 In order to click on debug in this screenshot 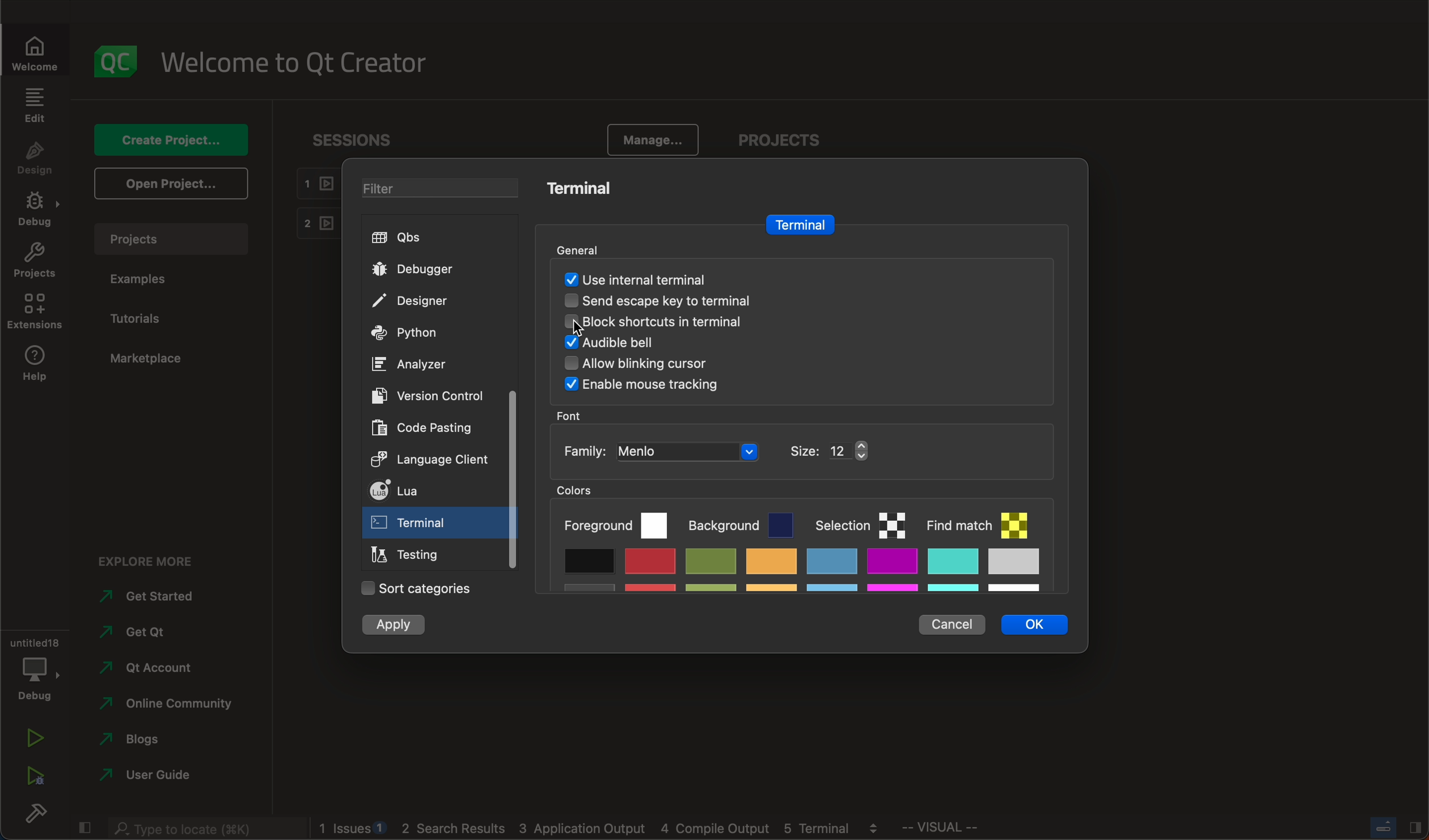, I will do `click(34, 211)`.